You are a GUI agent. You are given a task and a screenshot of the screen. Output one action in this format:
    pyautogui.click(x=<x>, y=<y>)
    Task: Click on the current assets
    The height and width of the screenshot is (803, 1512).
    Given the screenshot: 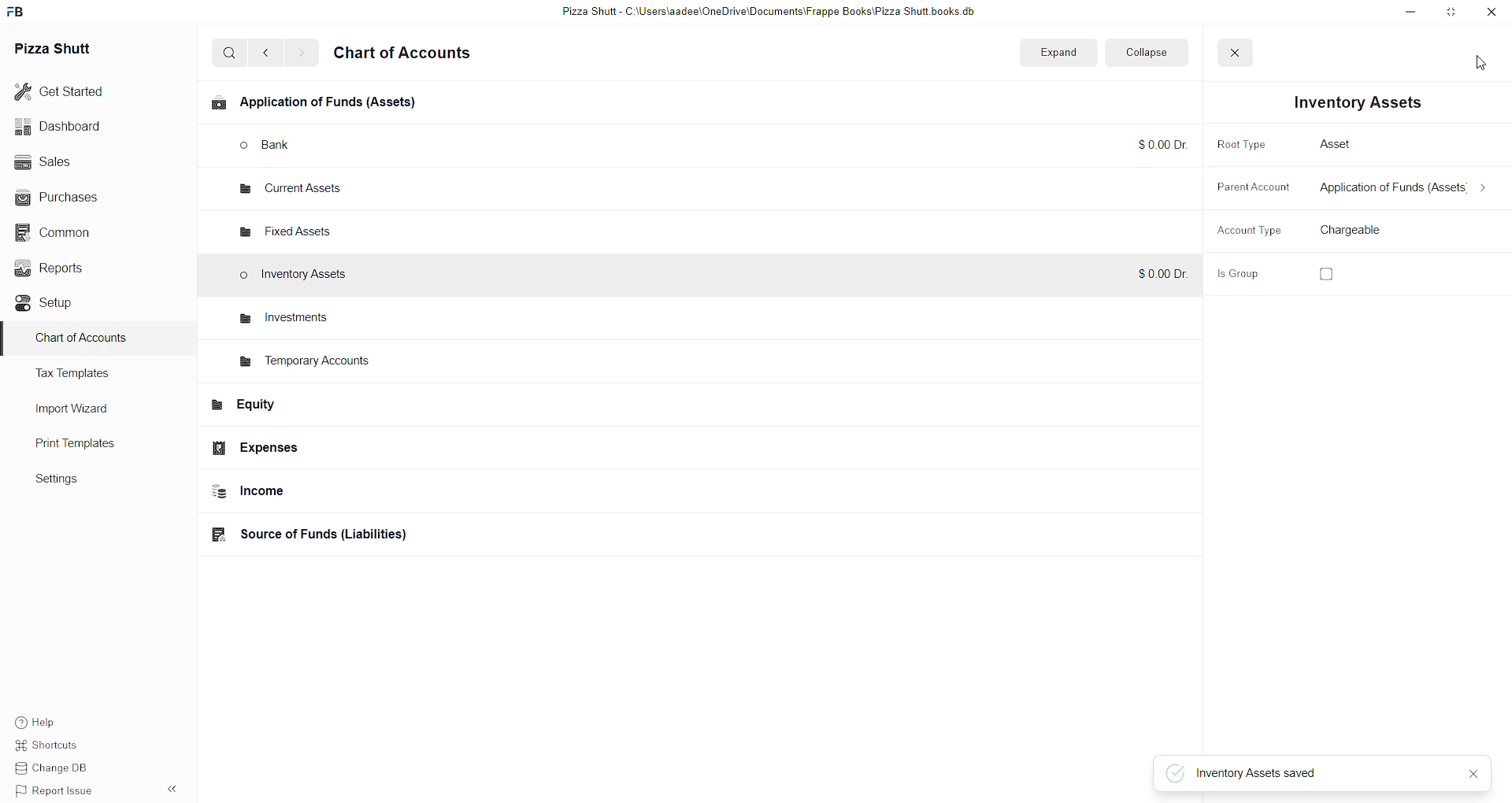 What is the action you would take?
    pyautogui.click(x=285, y=191)
    